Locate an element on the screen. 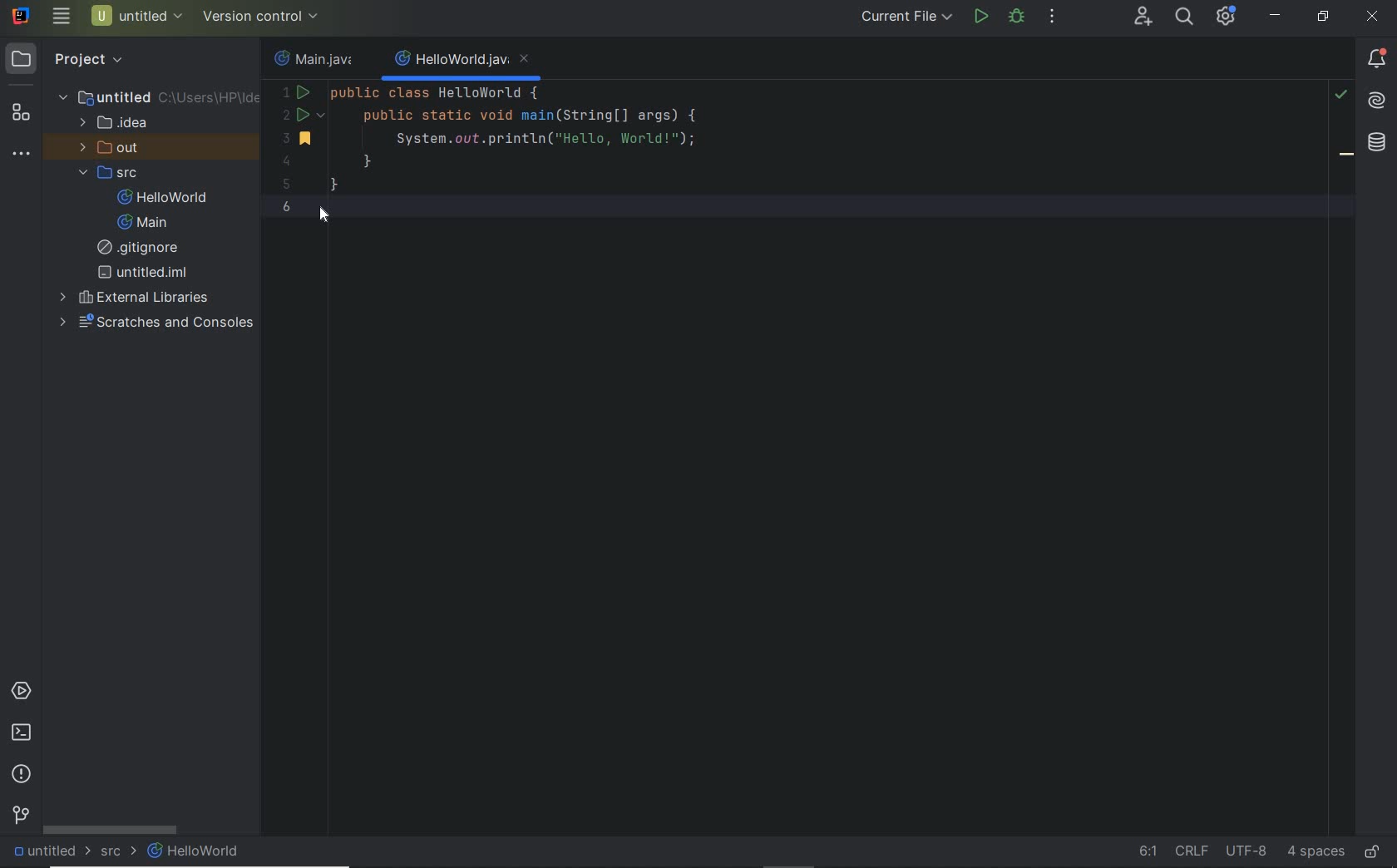 The image size is (1397, 868). run is located at coordinates (981, 17).